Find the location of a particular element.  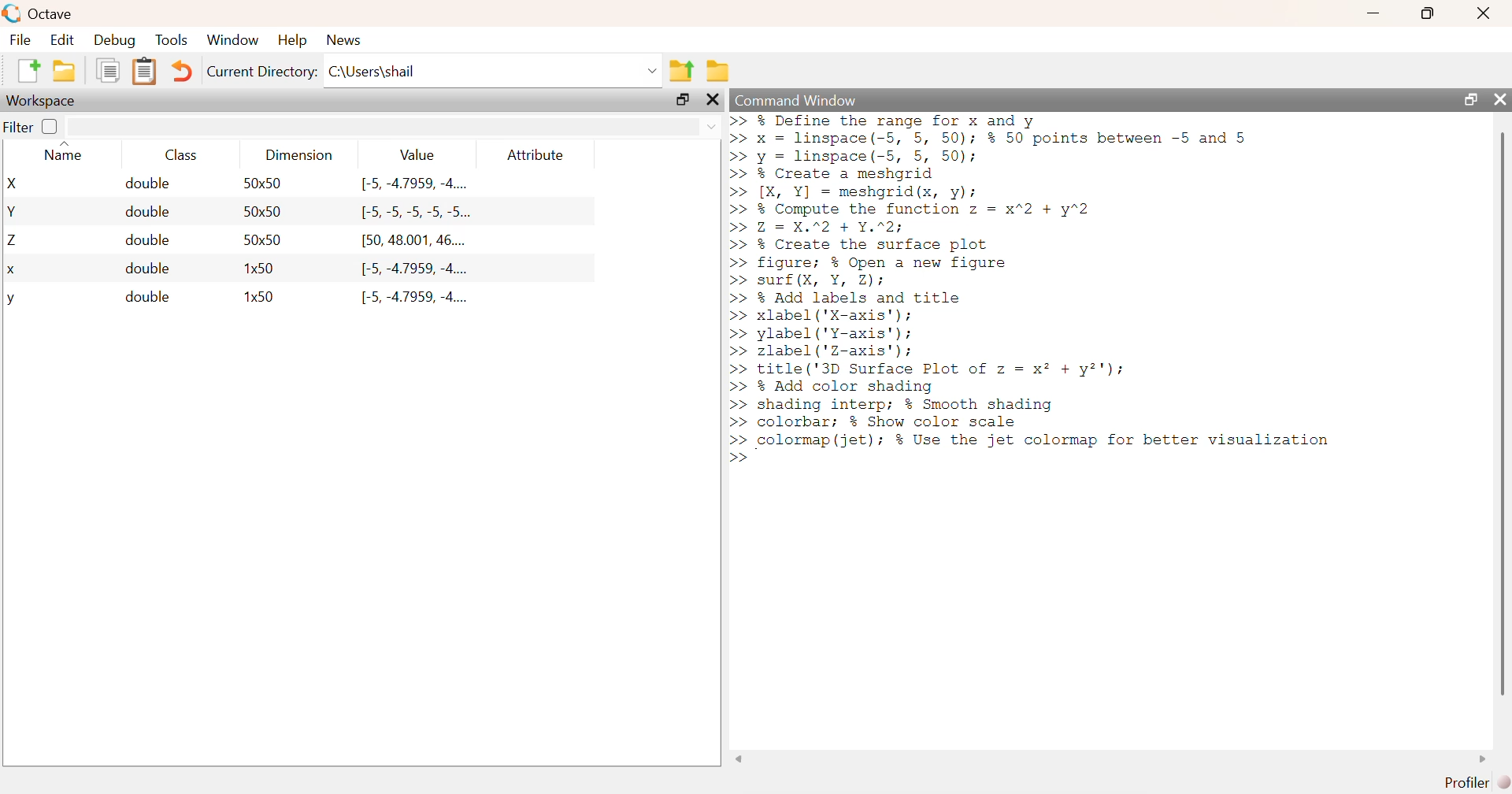

Dimension is located at coordinates (301, 155).